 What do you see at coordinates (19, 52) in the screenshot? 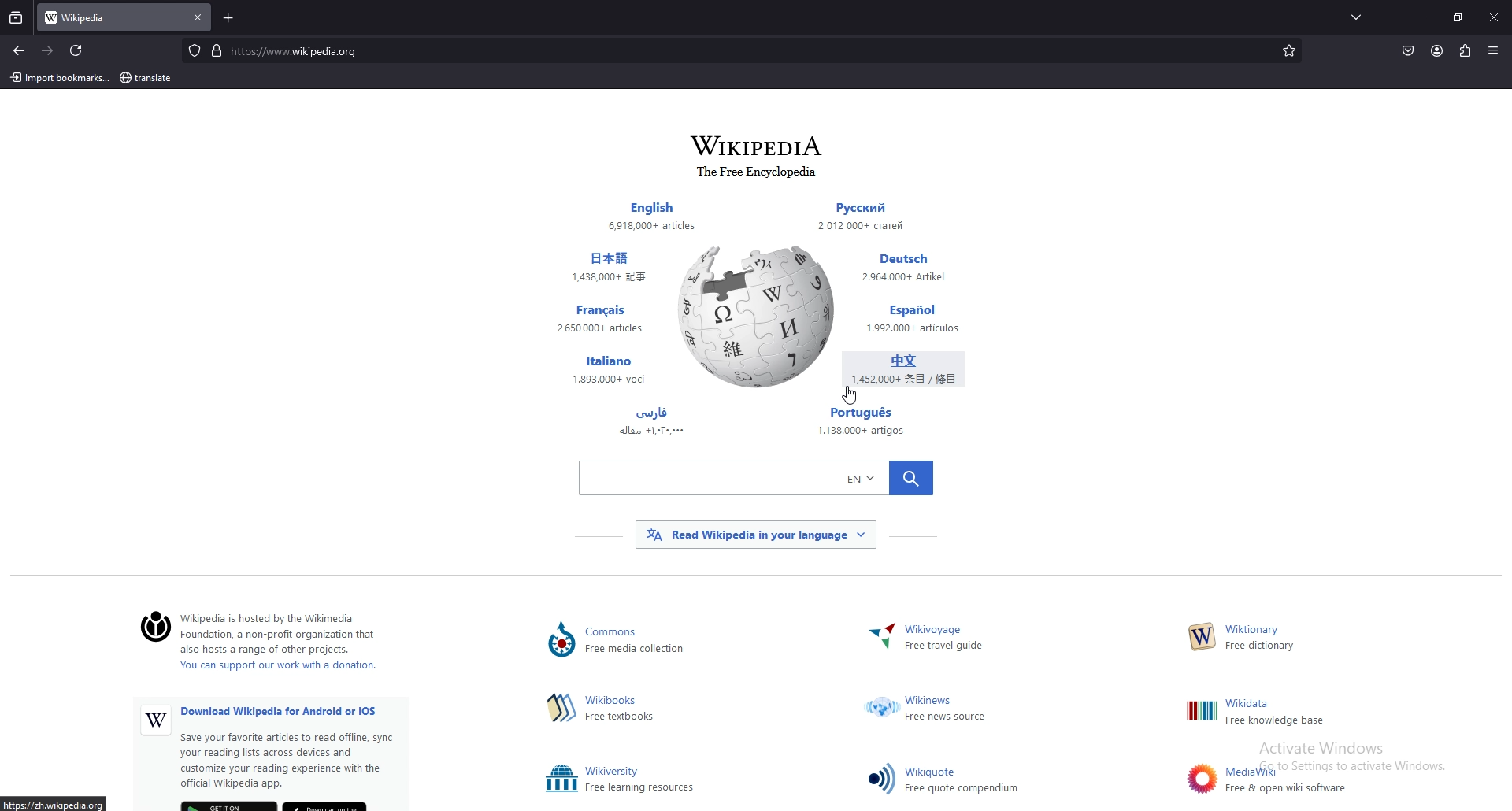
I see `backward` at bounding box center [19, 52].